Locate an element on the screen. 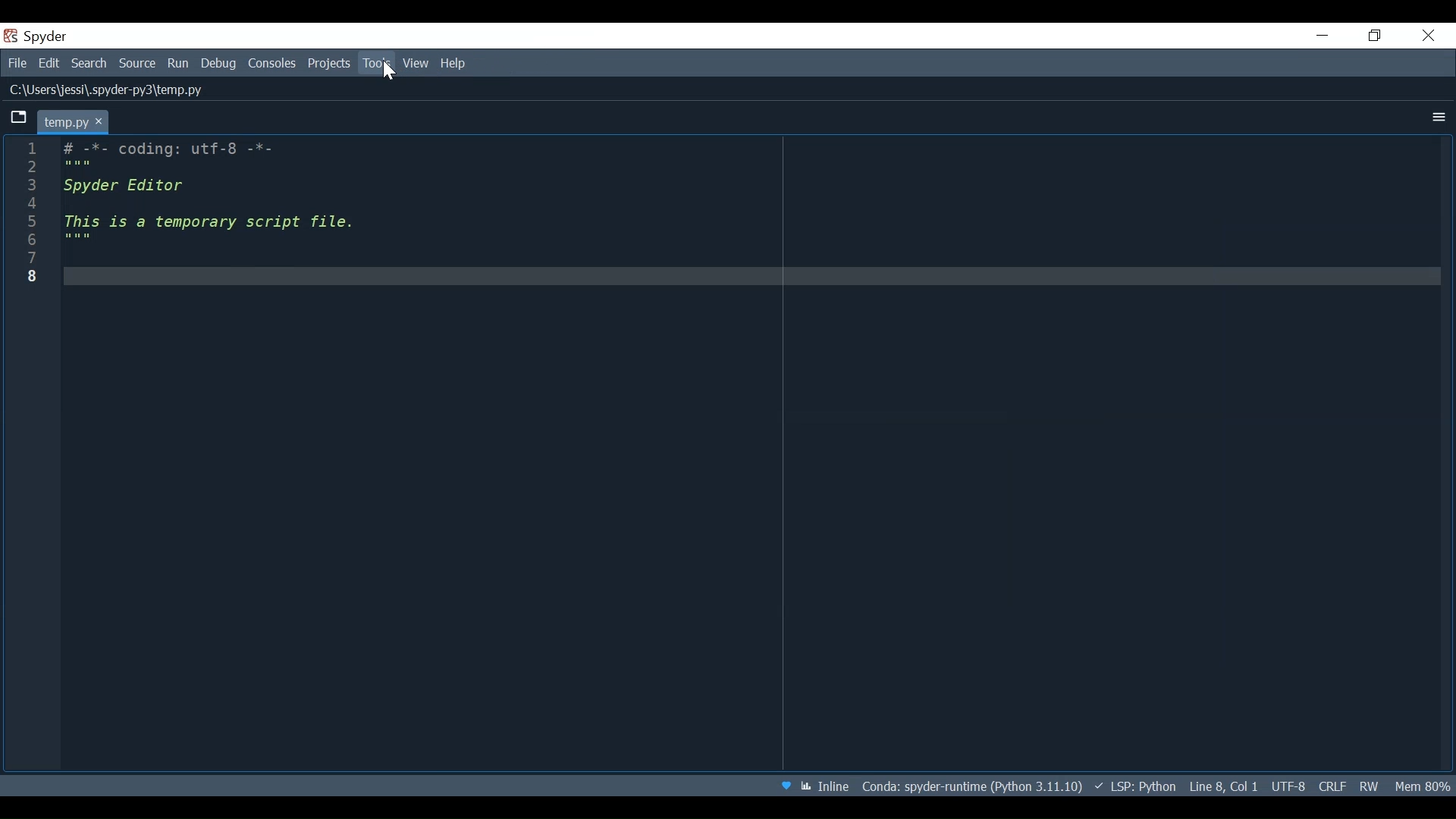 The width and height of the screenshot is (1456, 819). Tools is located at coordinates (379, 63).